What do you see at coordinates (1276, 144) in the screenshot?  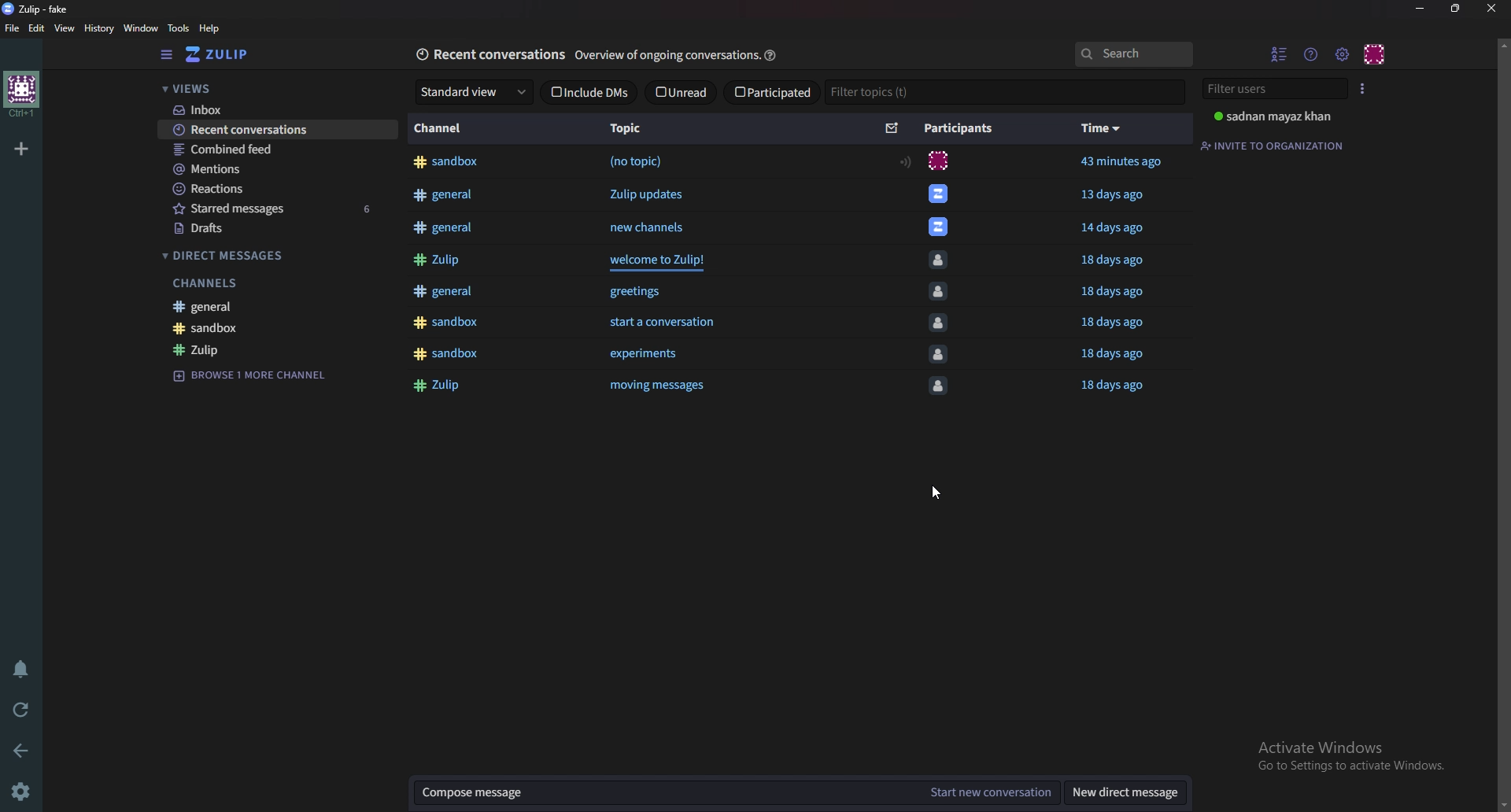 I see `Invite to organization` at bounding box center [1276, 144].